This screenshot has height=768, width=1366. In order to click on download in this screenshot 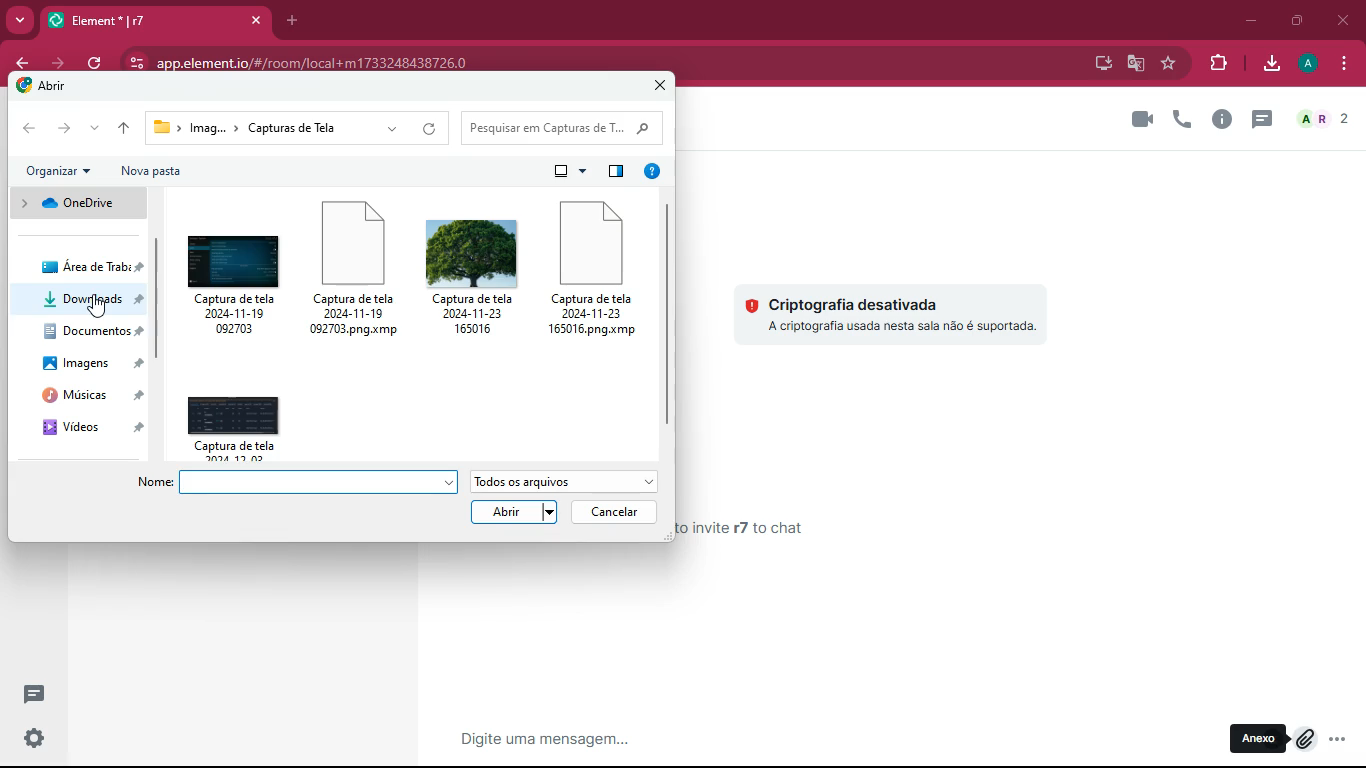, I will do `click(1272, 65)`.